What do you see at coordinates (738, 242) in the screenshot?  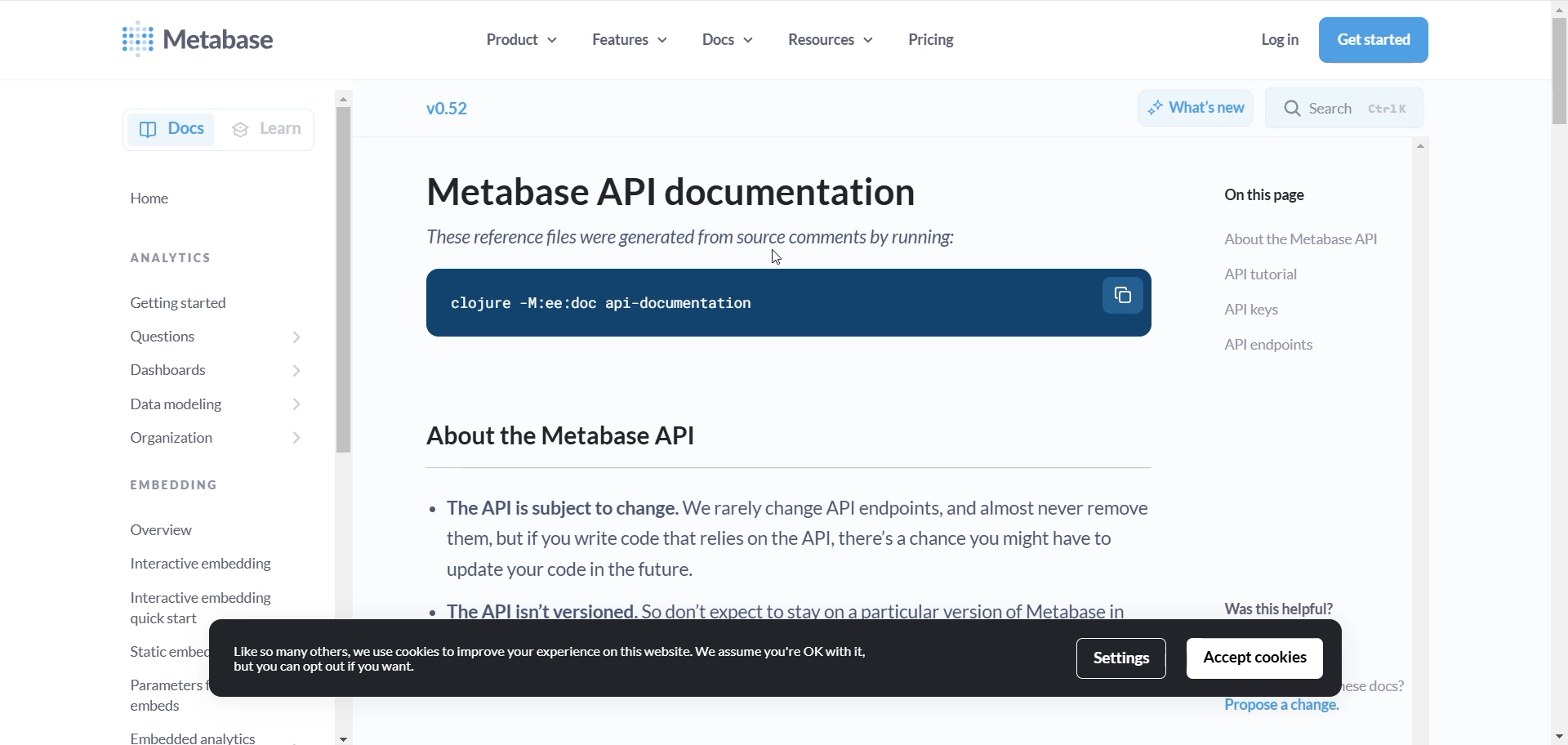 I see `text` at bounding box center [738, 242].